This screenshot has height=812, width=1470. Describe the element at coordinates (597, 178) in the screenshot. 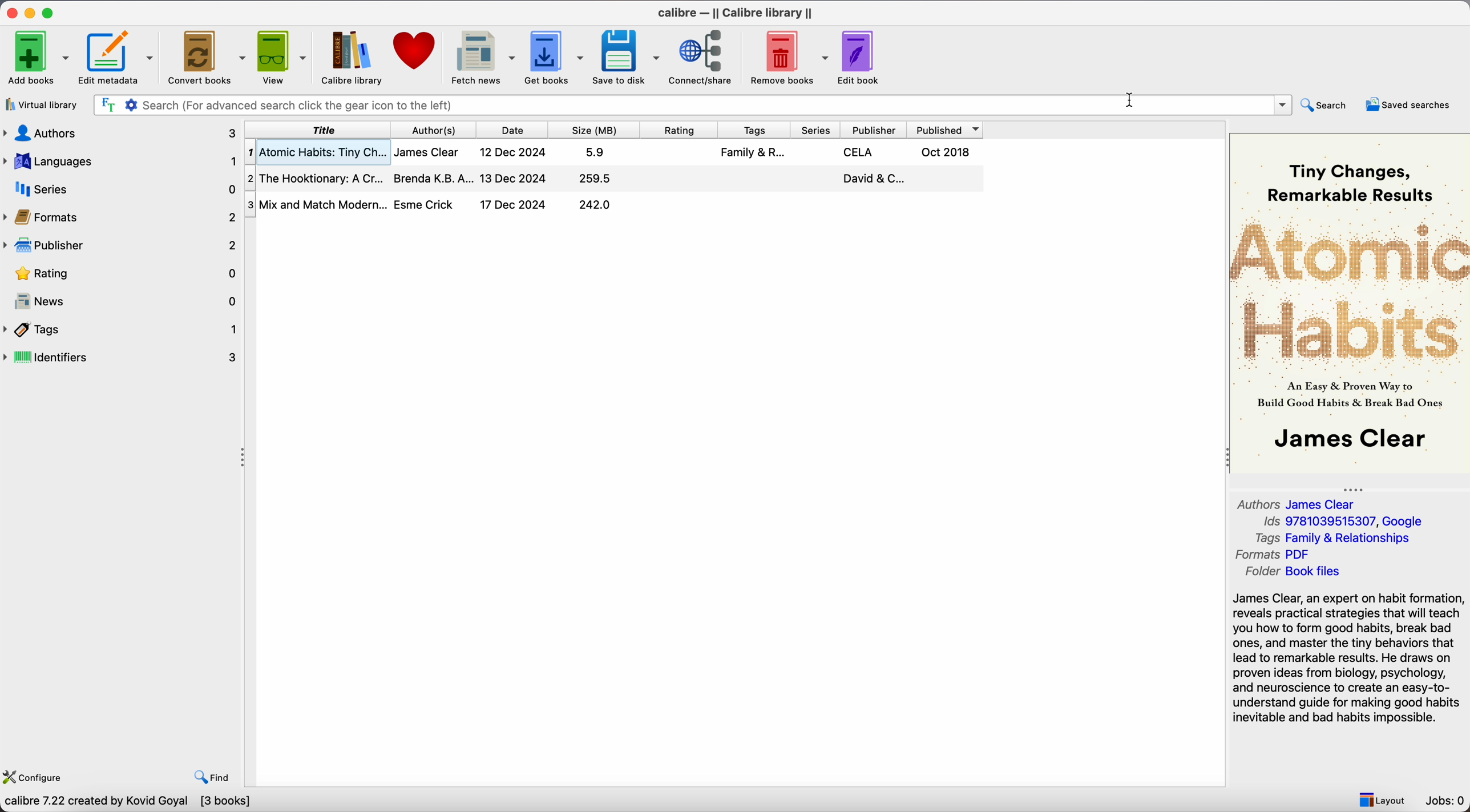

I see `259.5` at that location.